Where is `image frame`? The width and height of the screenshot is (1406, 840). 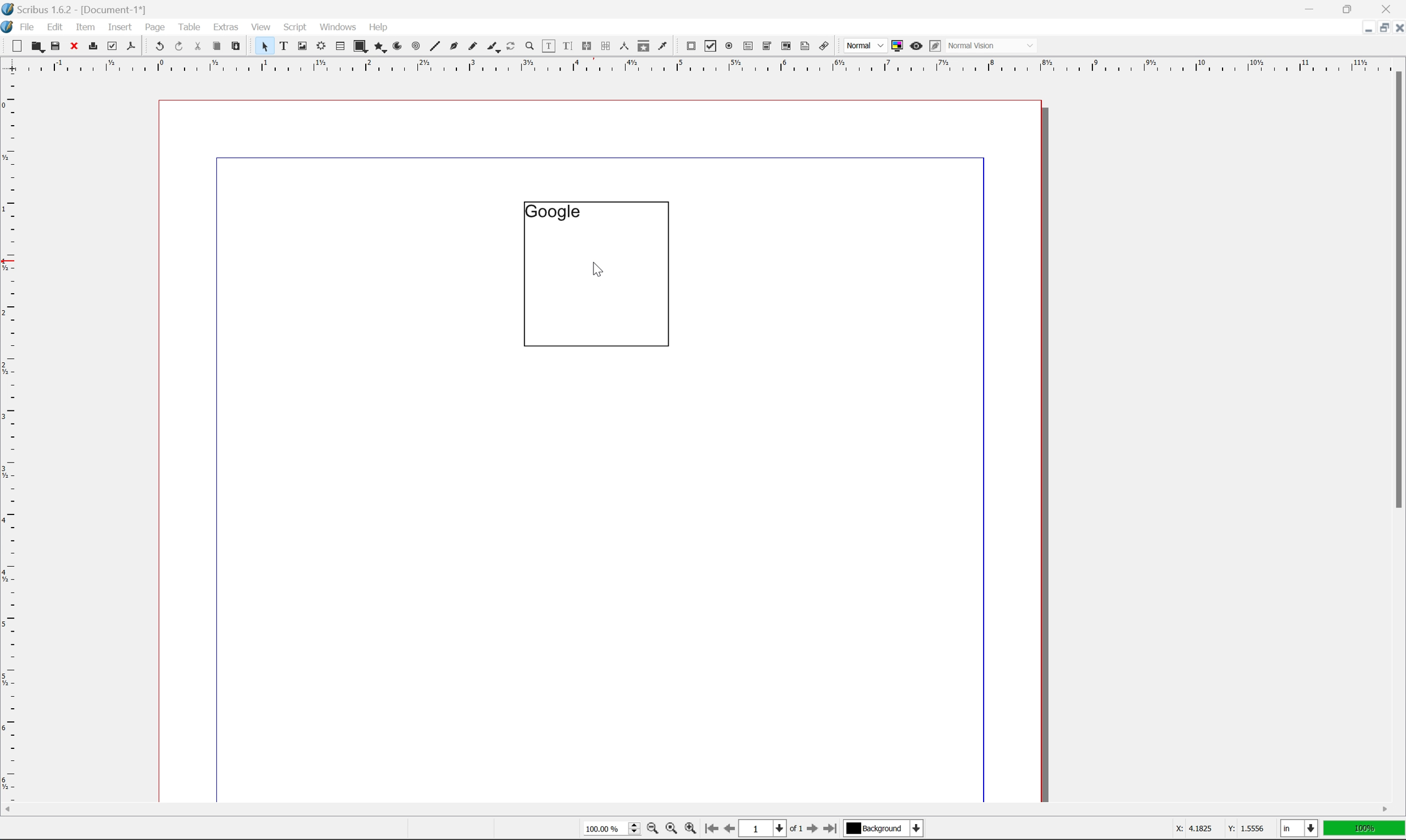 image frame is located at coordinates (302, 47).